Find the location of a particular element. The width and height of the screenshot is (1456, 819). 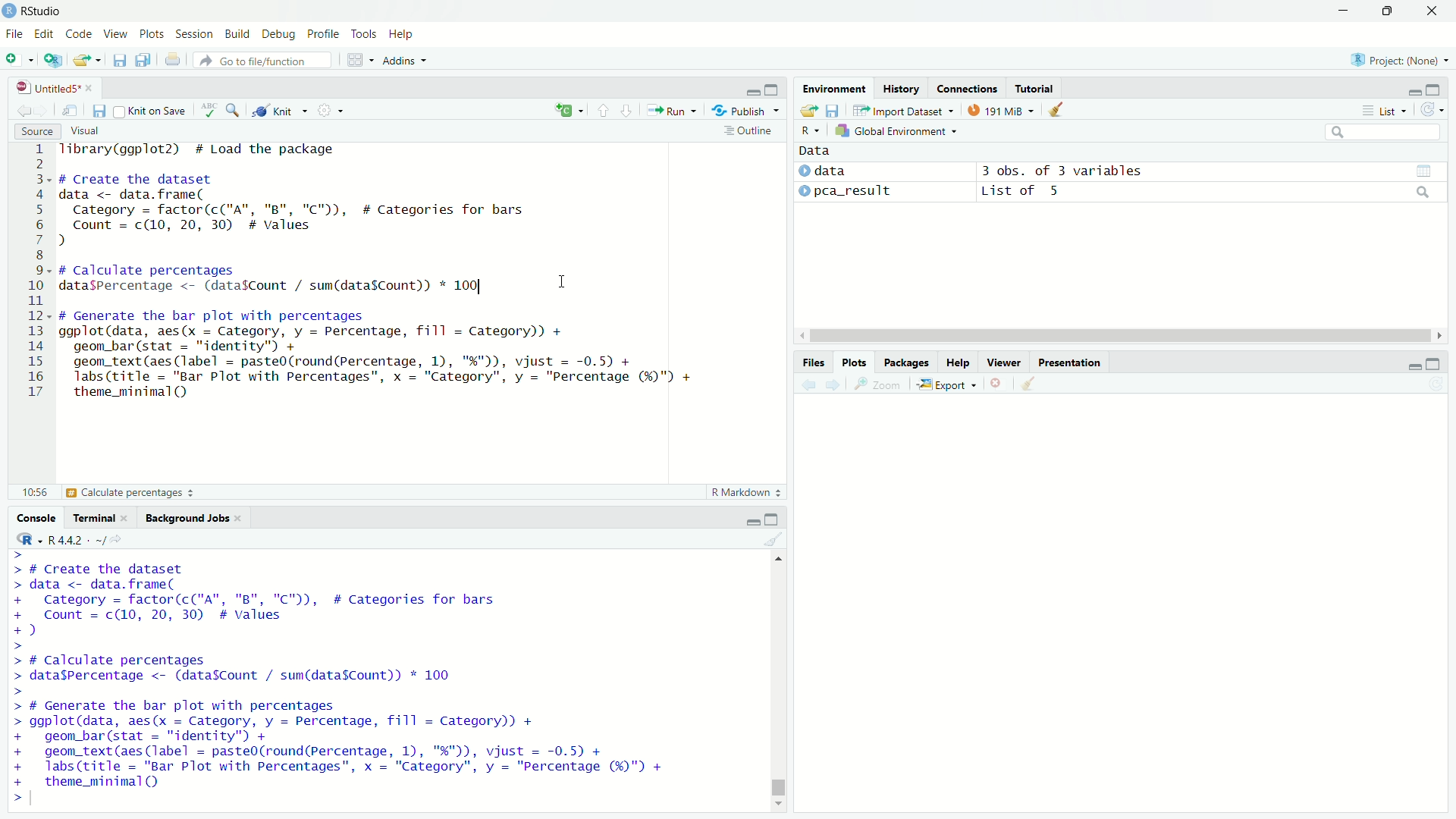

build is located at coordinates (241, 36).